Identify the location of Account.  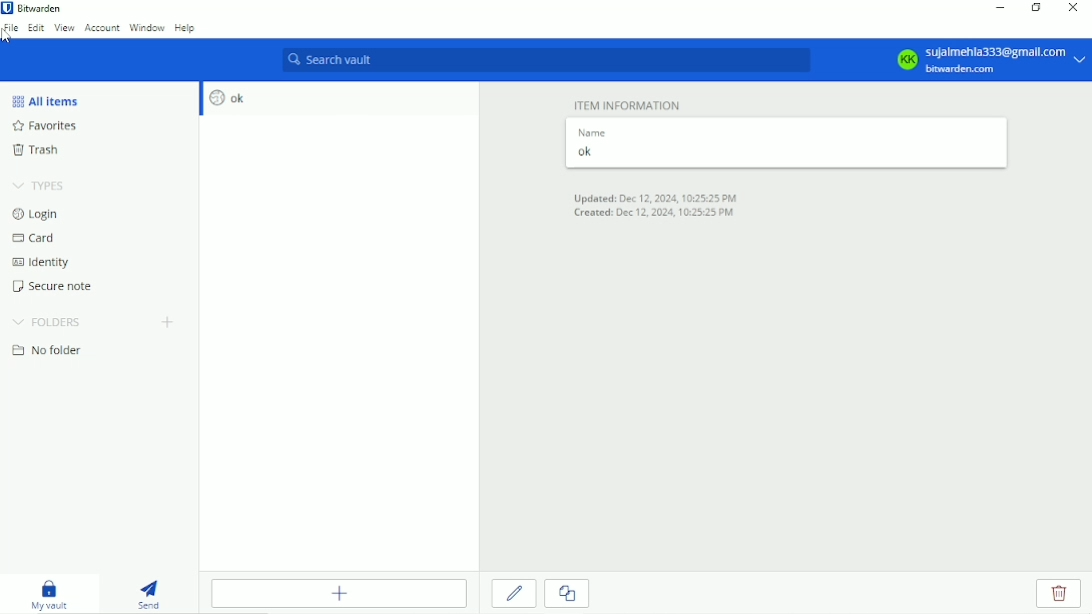
(102, 27).